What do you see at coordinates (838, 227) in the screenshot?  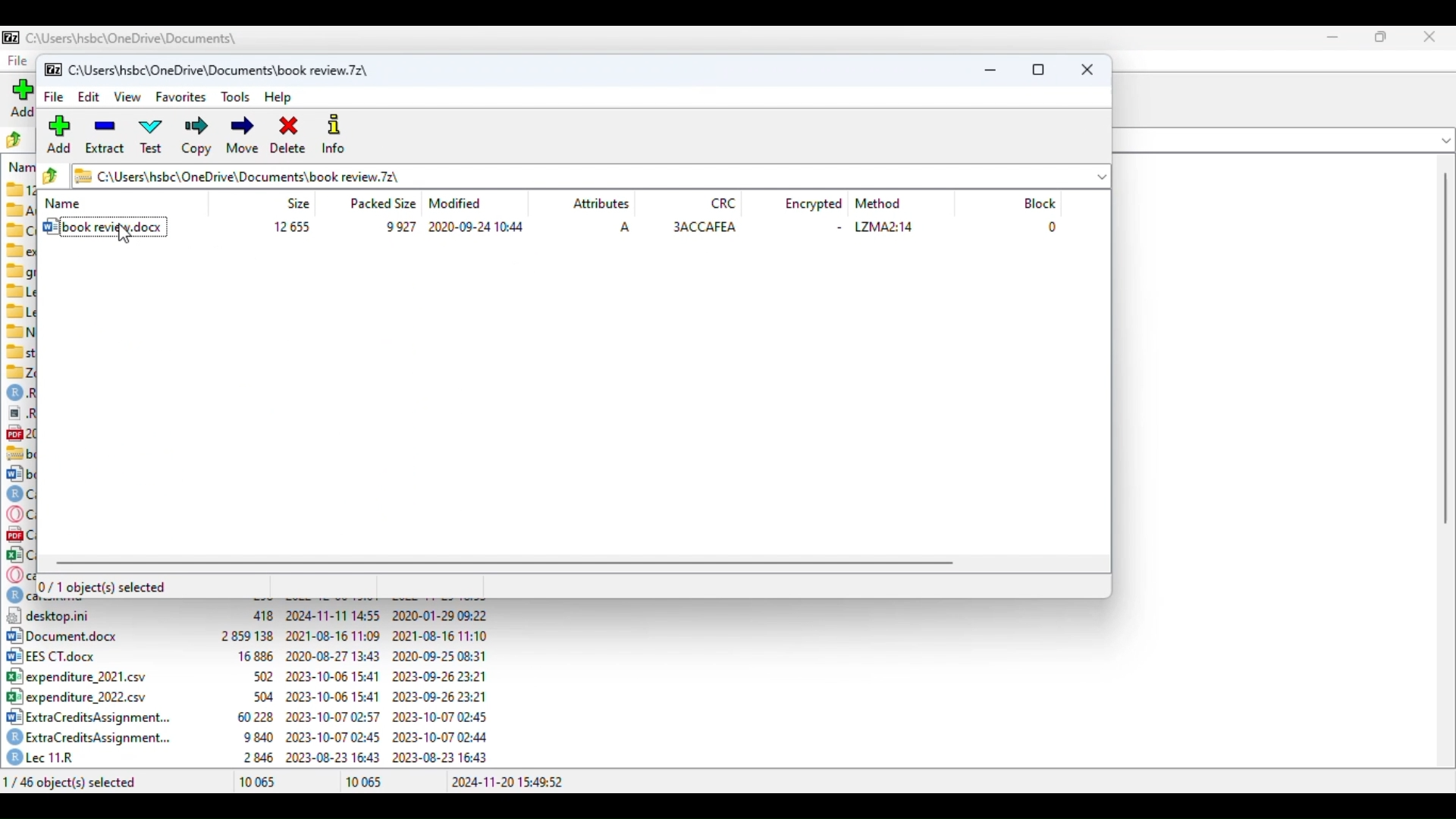 I see `-` at bounding box center [838, 227].